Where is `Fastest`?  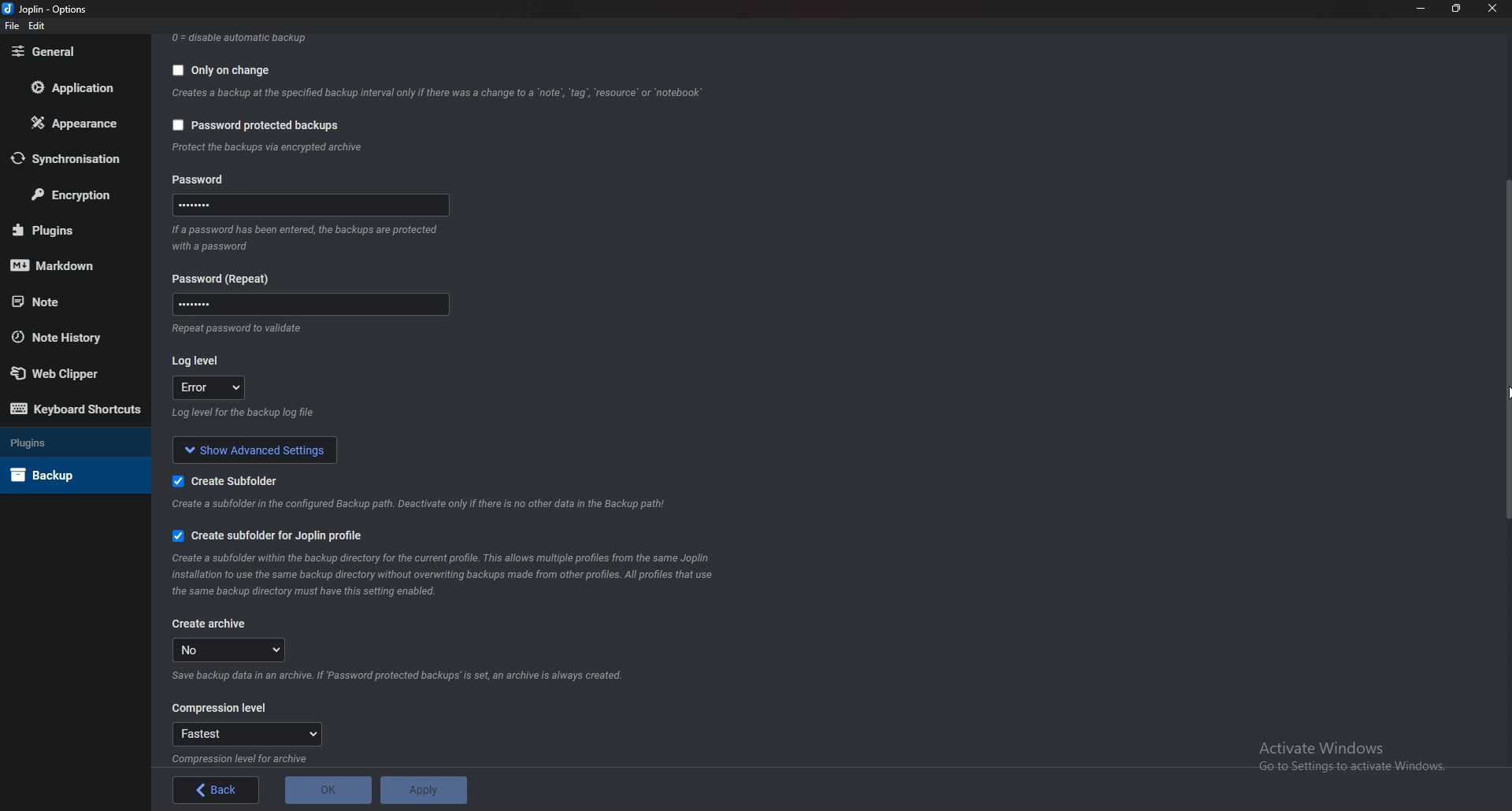 Fastest is located at coordinates (248, 733).